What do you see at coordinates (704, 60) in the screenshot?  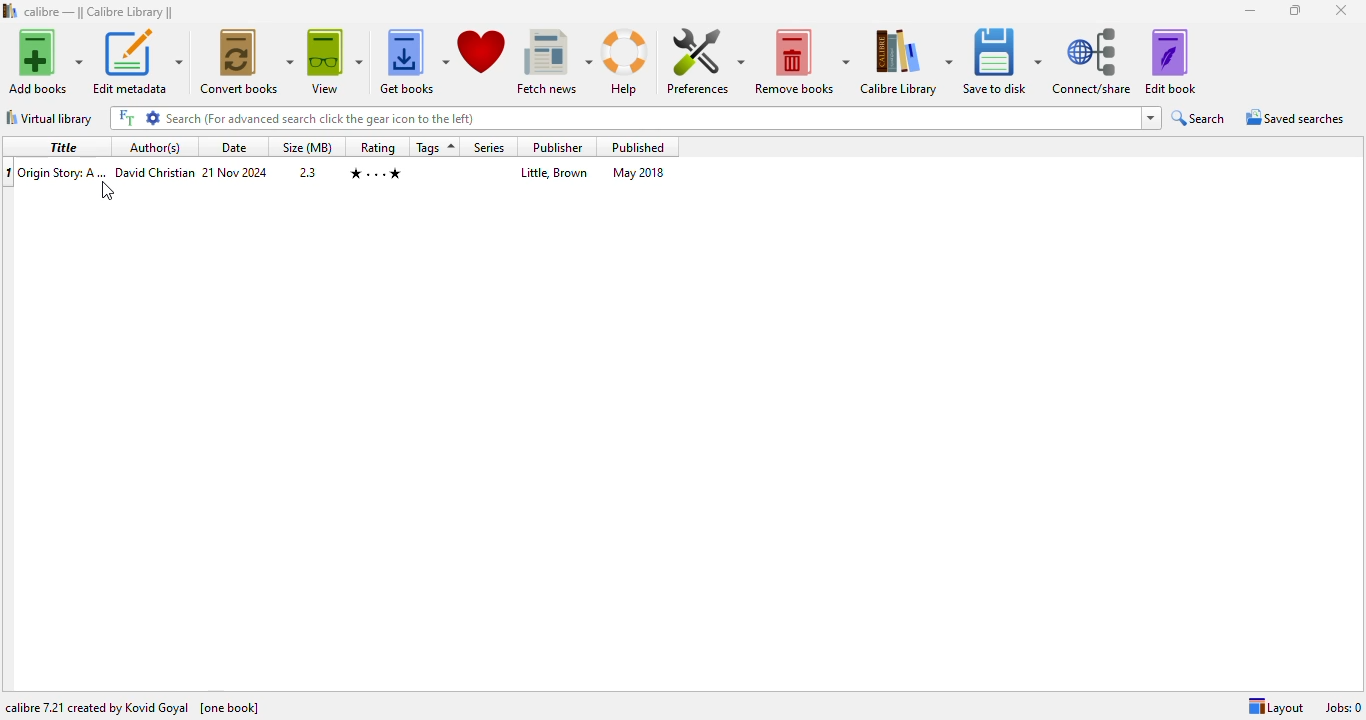 I see `preferences` at bounding box center [704, 60].